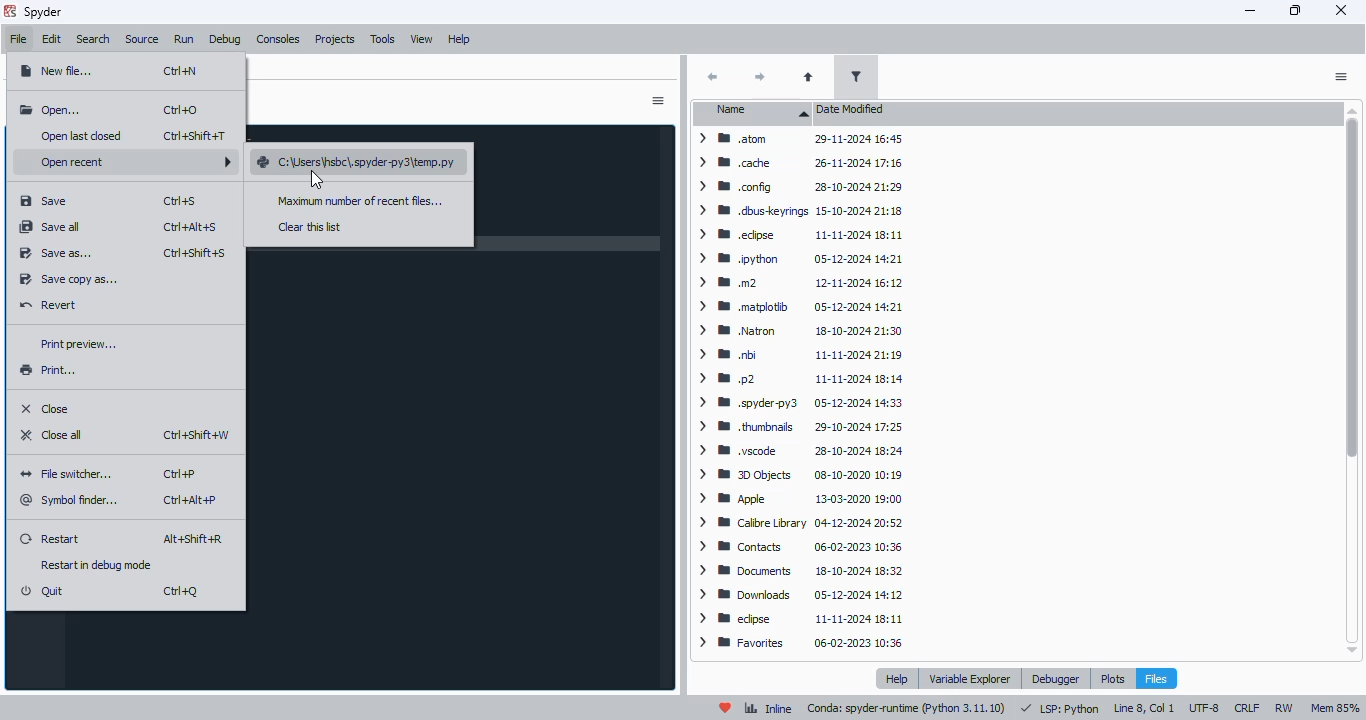  What do you see at coordinates (17, 39) in the screenshot?
I see `file` at bounding box center [17, 39].